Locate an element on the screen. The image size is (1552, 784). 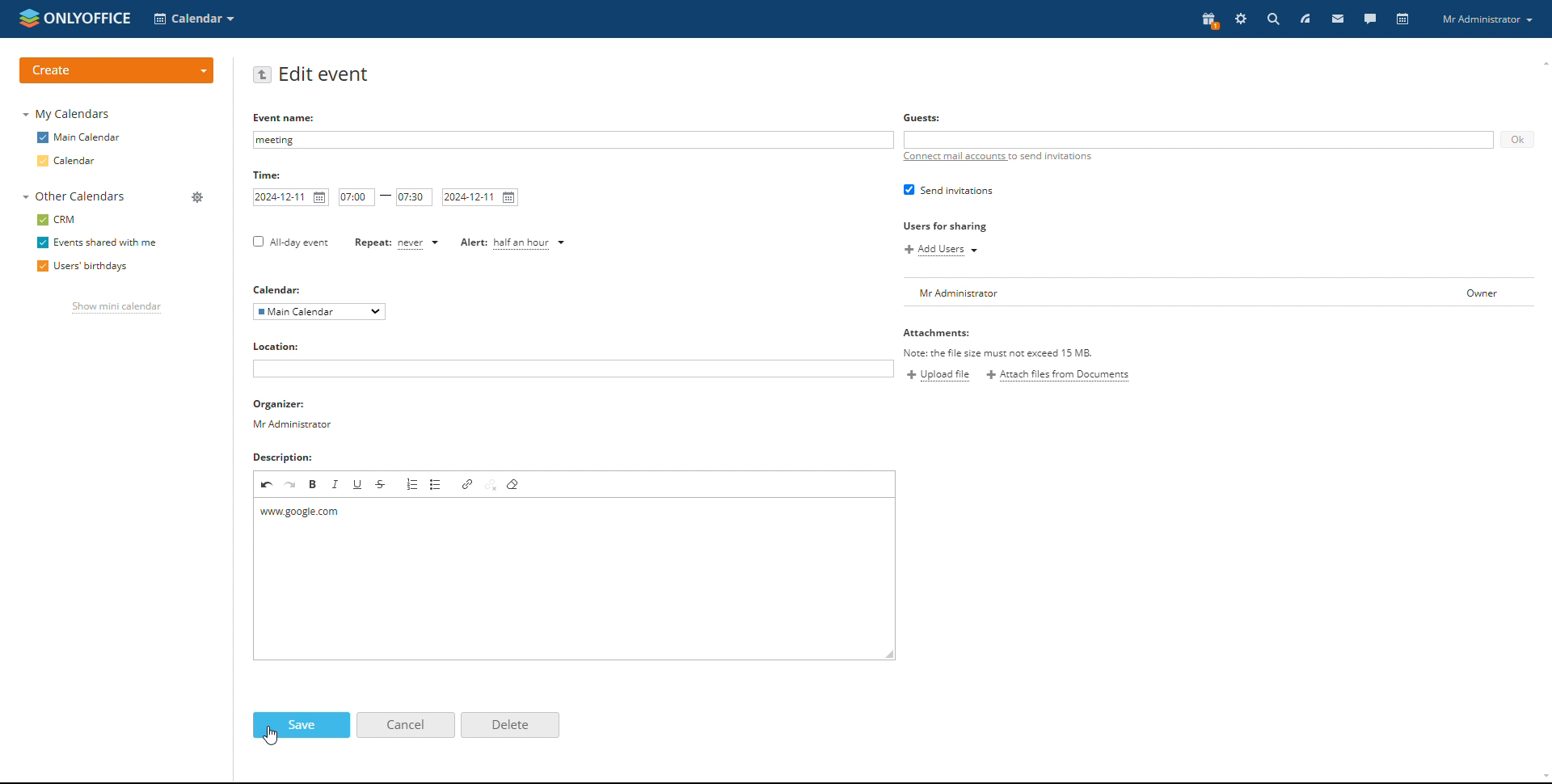
calendar is located at coordinates (1404, 19).